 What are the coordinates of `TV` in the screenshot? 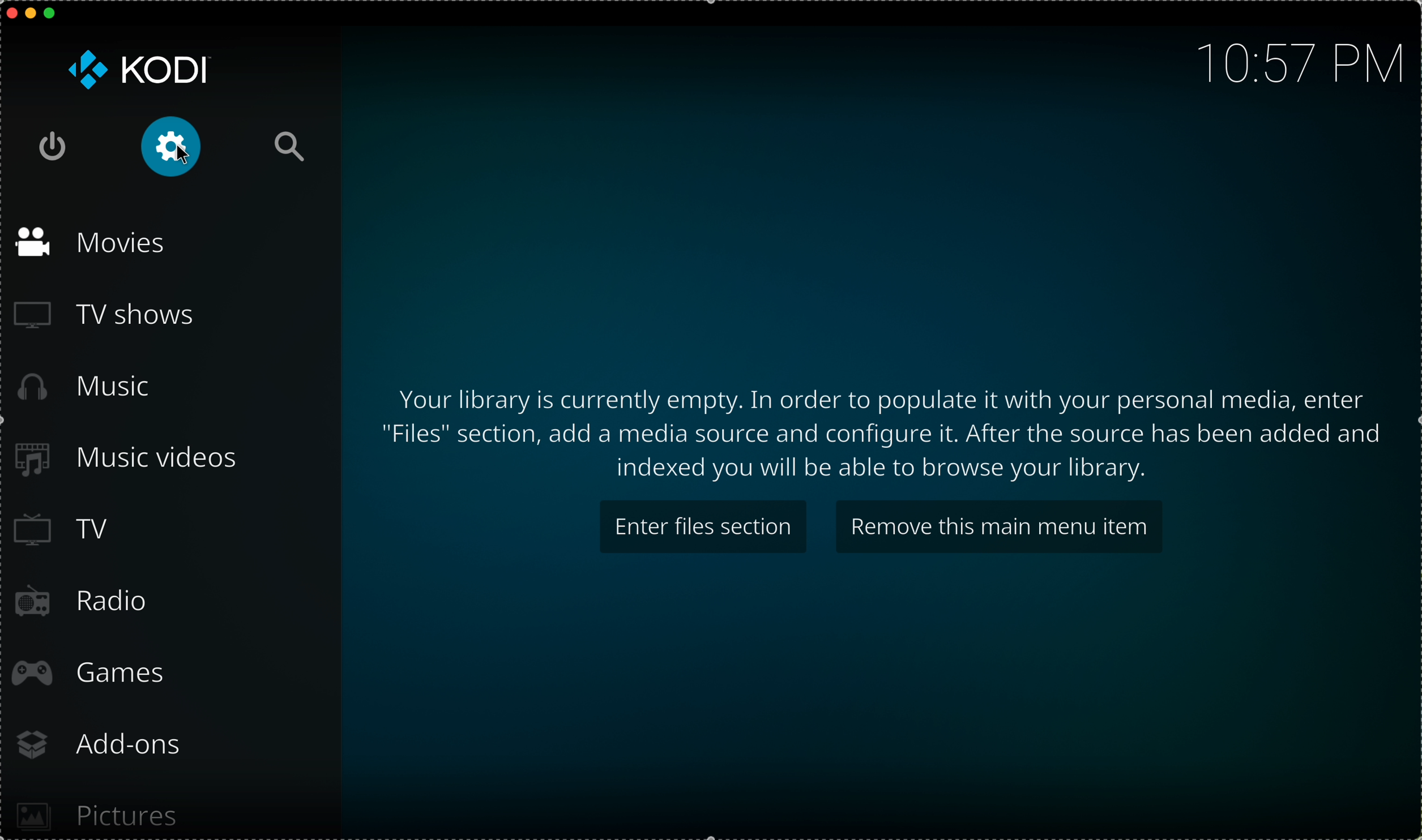 It's located at (69, 530).